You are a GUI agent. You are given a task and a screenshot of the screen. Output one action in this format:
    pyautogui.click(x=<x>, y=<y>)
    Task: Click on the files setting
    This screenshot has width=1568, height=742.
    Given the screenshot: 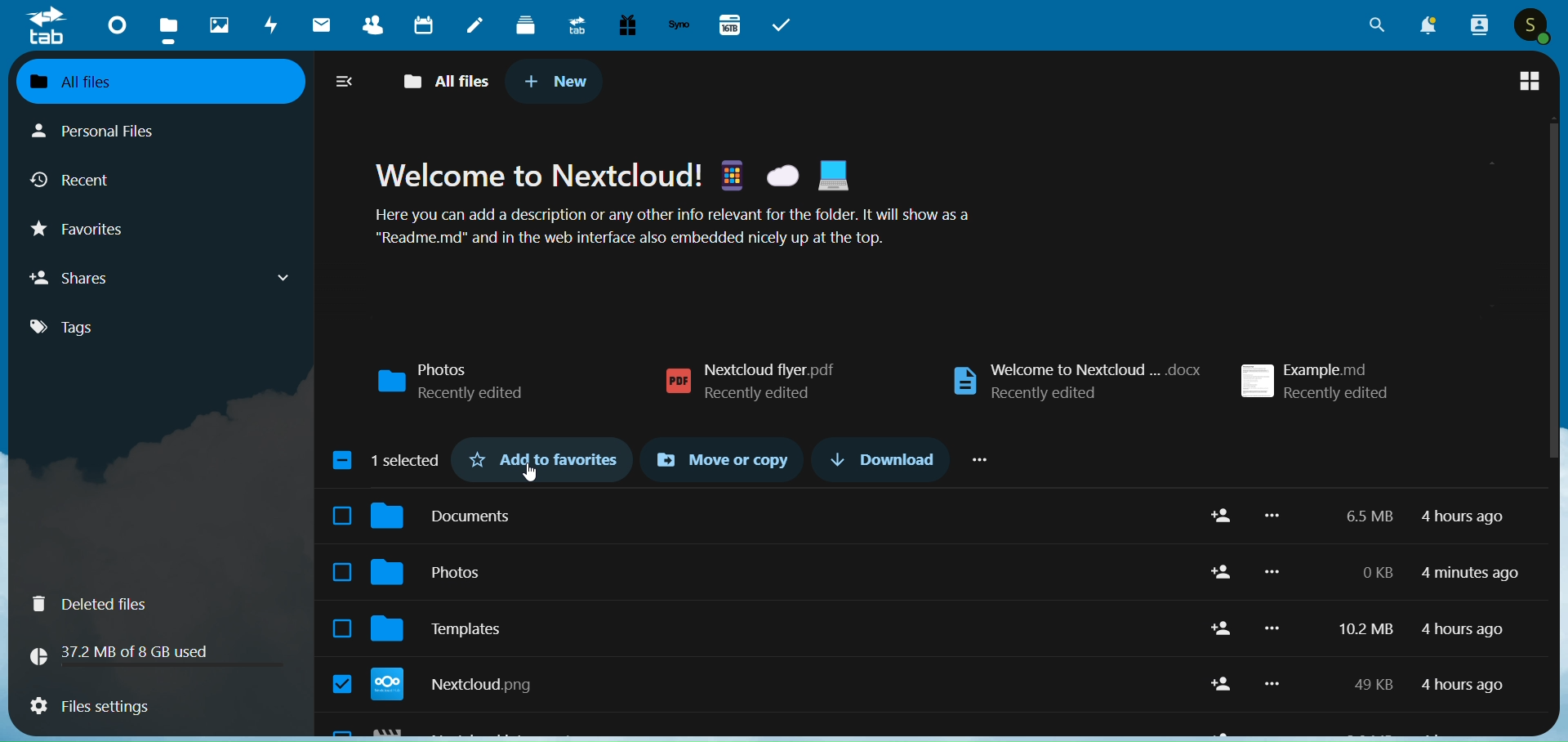 What is the action you would take?
    pyautogui.click(x=155, y=706)
    